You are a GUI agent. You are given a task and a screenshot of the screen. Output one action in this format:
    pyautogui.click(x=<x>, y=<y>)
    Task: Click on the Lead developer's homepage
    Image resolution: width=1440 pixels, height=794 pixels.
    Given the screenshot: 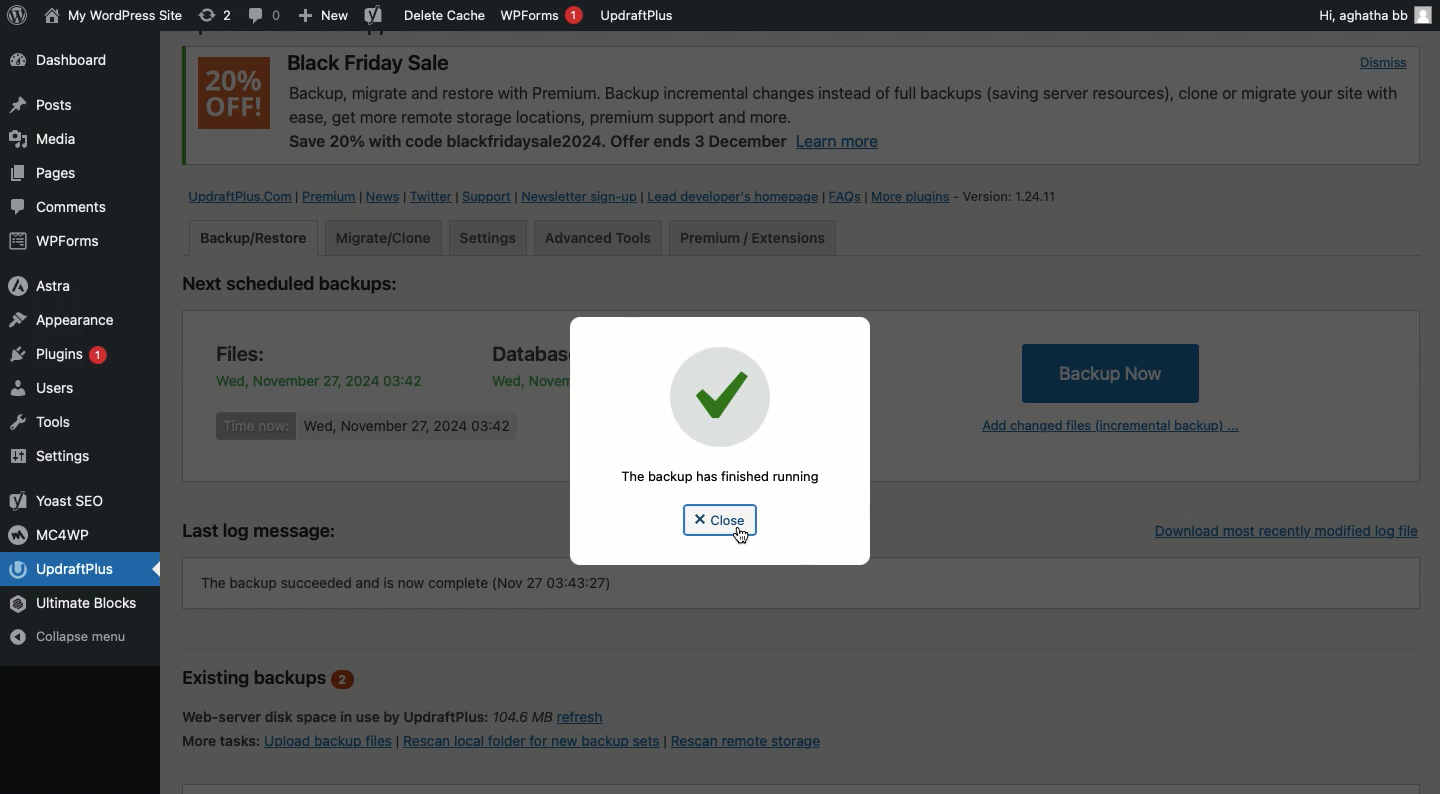 What is the action you would take?
    pyautogui.click(x=735, y=199)
    